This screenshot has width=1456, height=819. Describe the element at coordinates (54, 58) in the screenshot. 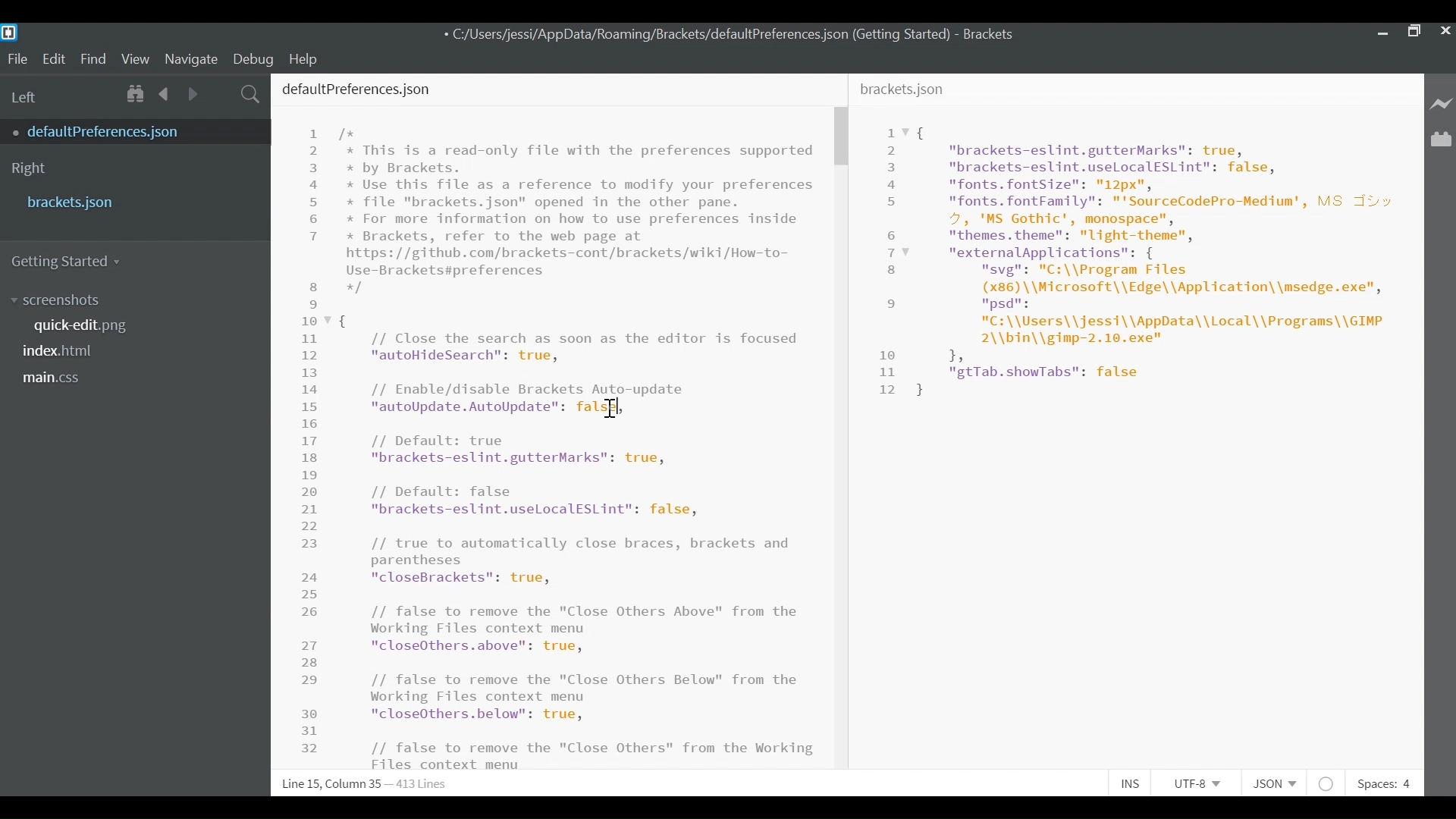

I see `Edit` at that location.